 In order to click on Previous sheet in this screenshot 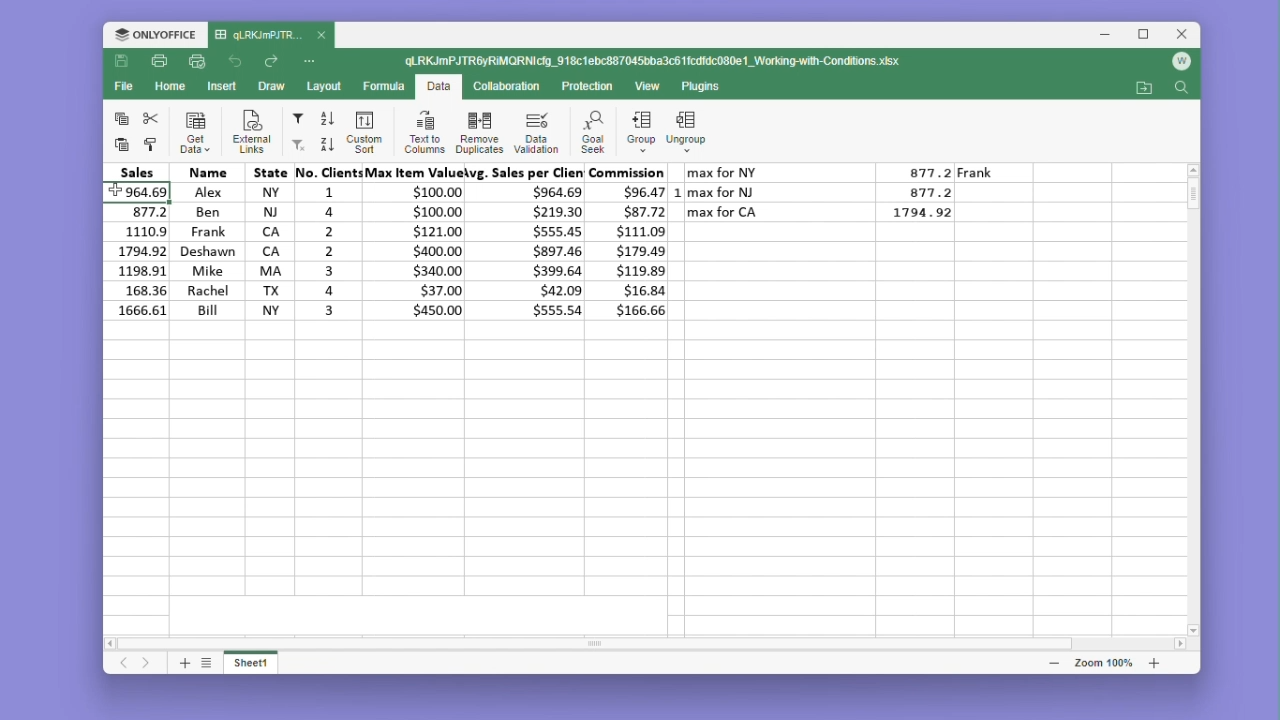, I will do `click(125, 664)`.